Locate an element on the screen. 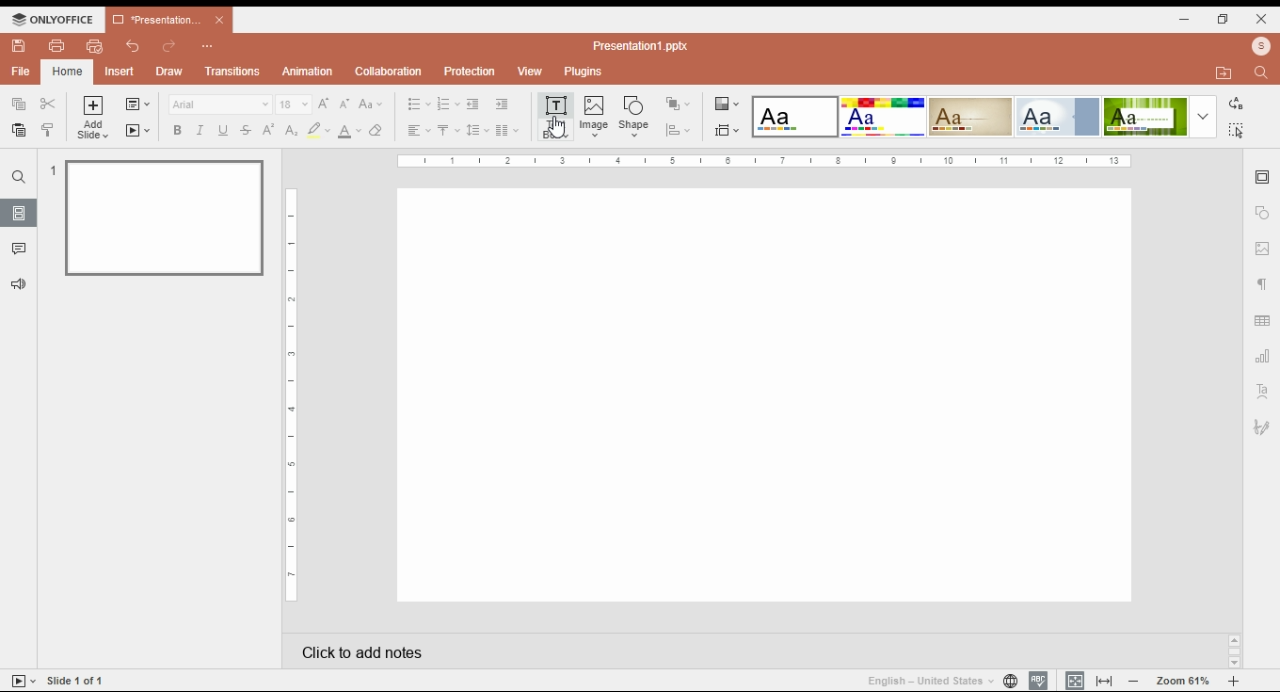 This screenshot has height=692, width=1280. Presentation1.pptx is located at coordinates (643, 46).